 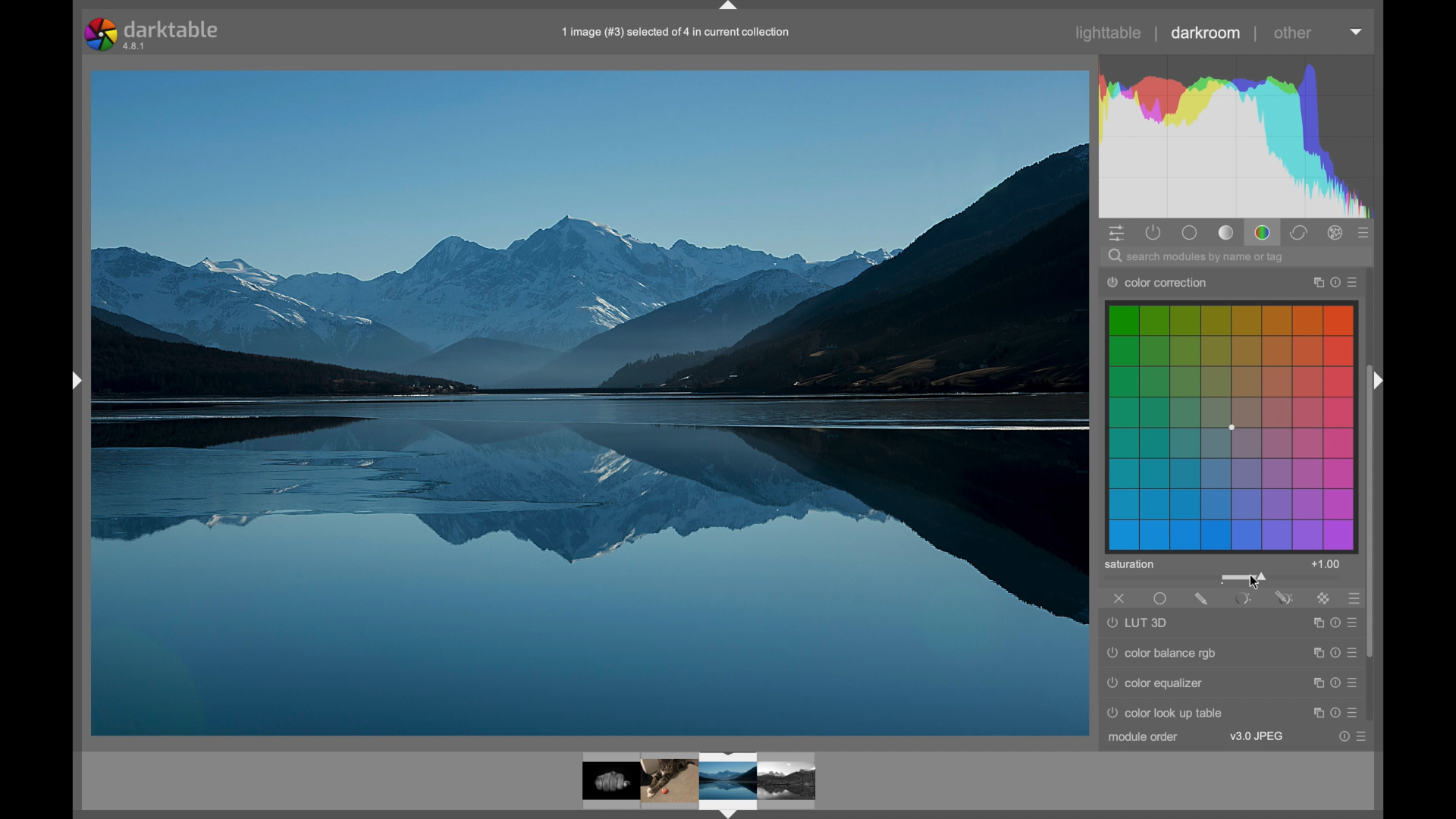 I want to click on lighttable, so click(x=1110, y=33).